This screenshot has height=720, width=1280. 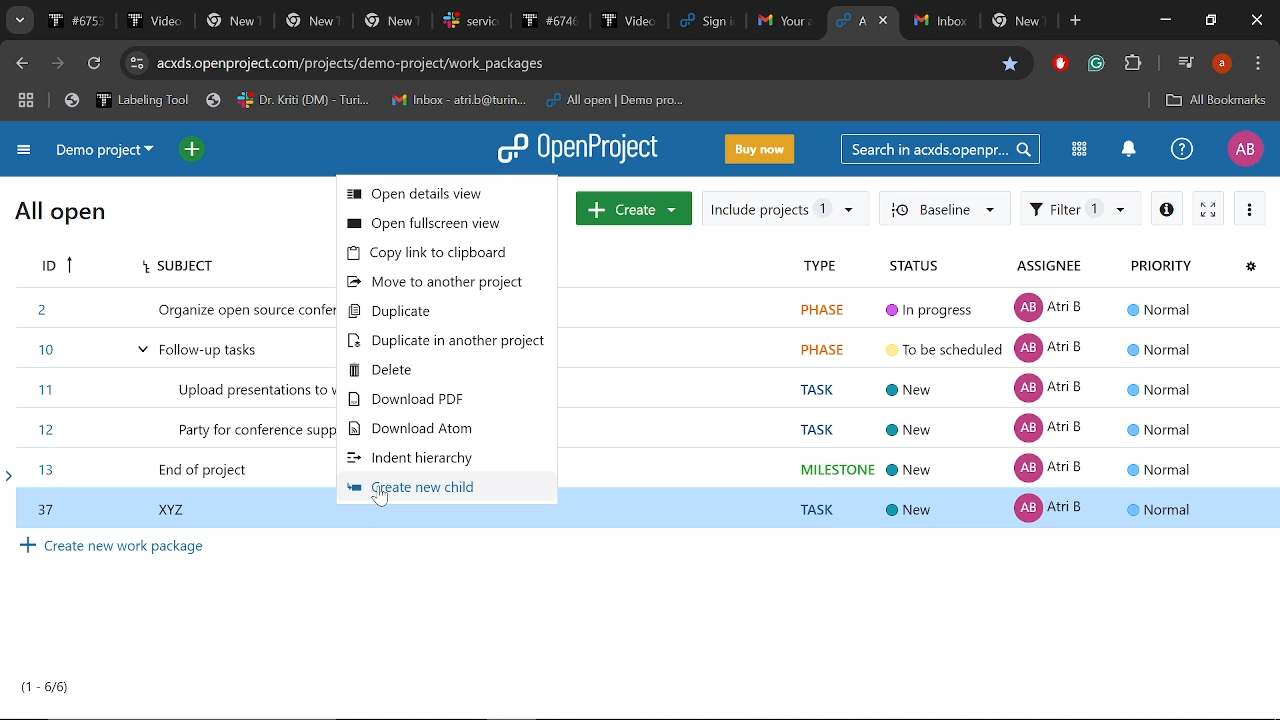 What do you see at coordinates (1052, 268) in the screenshot?
I see `Assignee` at bounding box center [1052, 268].